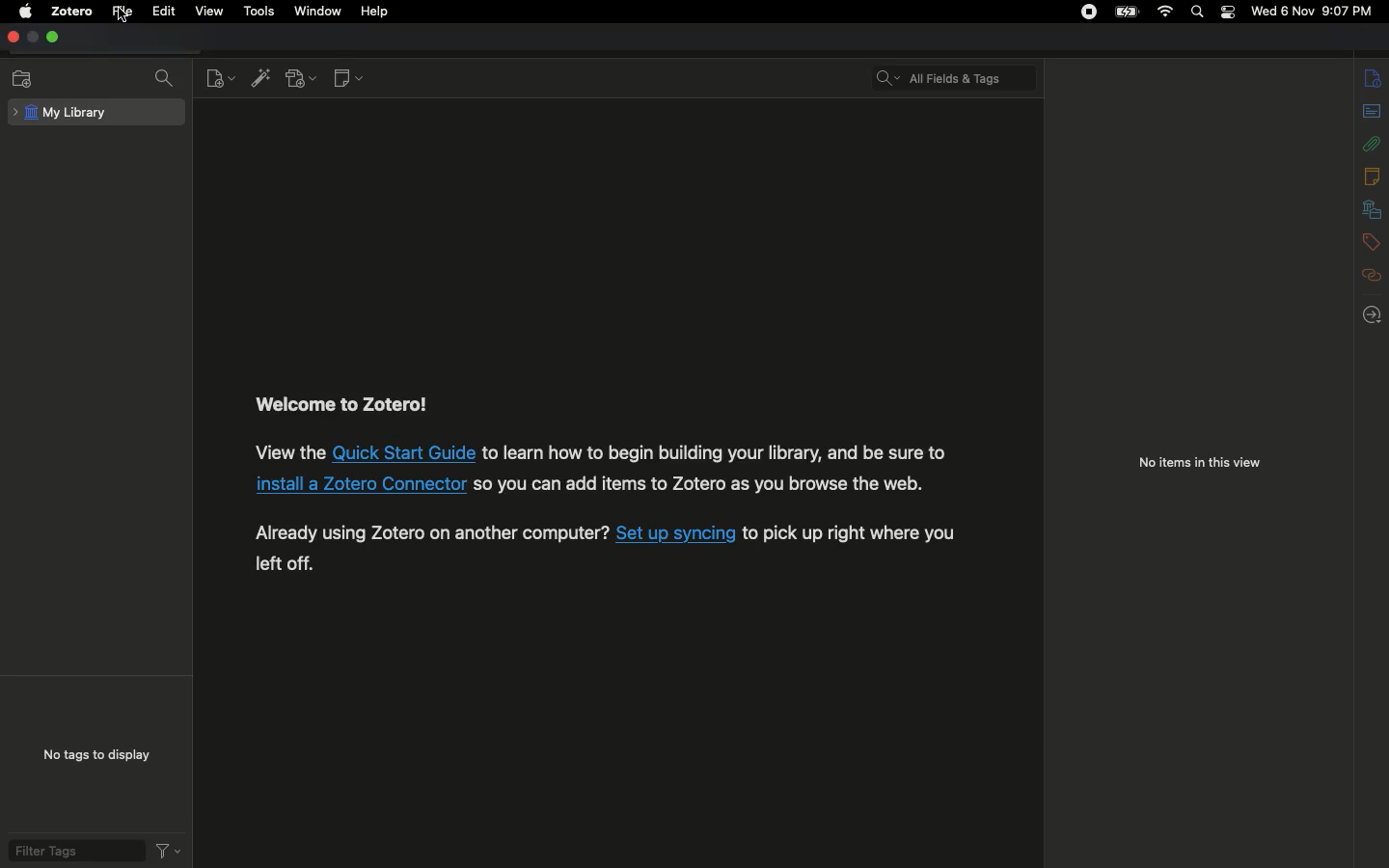 The height and width of the screenshot is (868, 1389). What do you see at coordinates (1372, 210) in the screenshot?
I see `Libraries and collections` at bounding box center [1372, 210].